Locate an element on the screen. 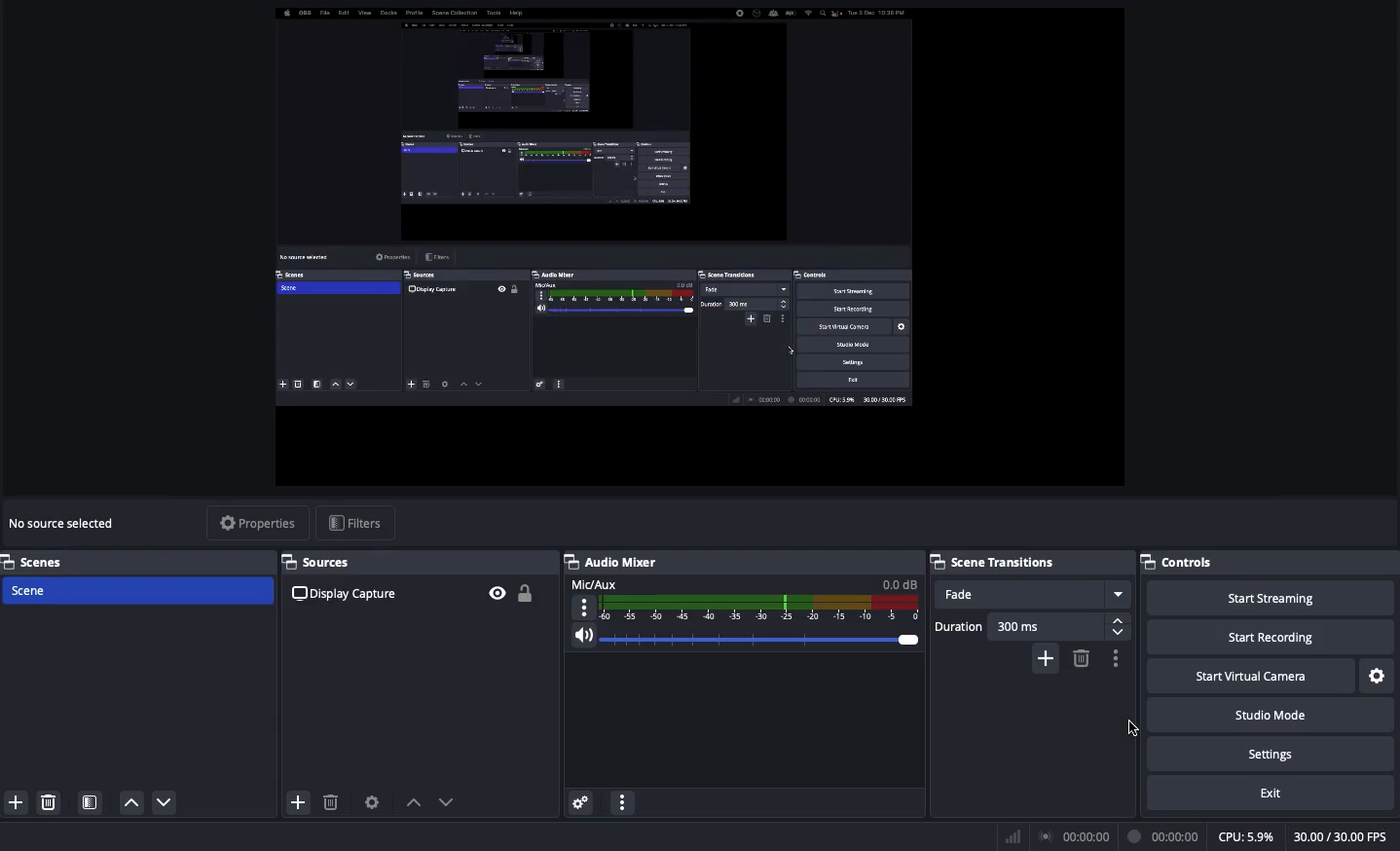 The height and width of the screenshot is (851, 1400). Down is located at coordinates (127, 802).